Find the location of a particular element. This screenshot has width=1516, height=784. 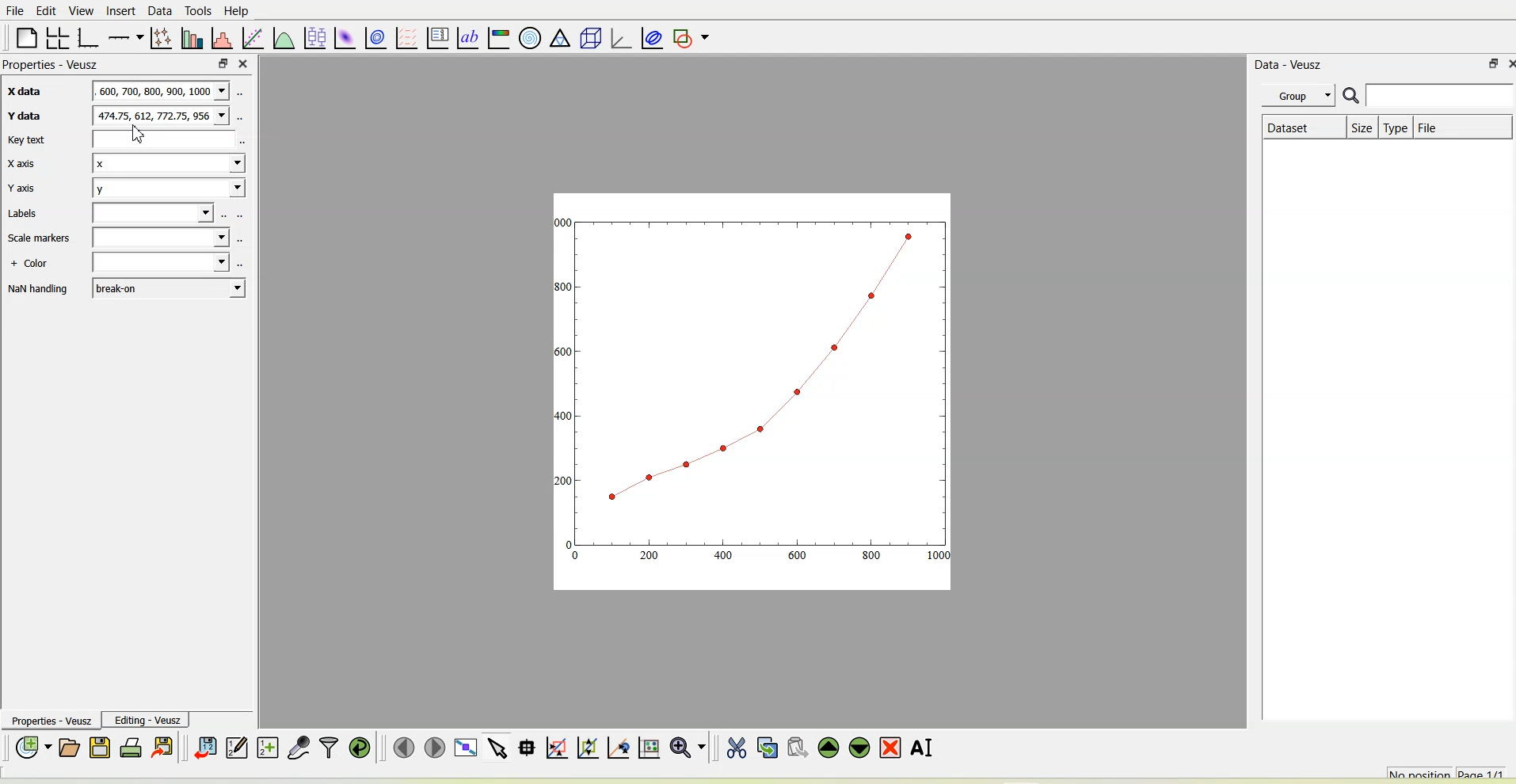

Plot a 2d dataset as an image is located at coordinates (345, 36).